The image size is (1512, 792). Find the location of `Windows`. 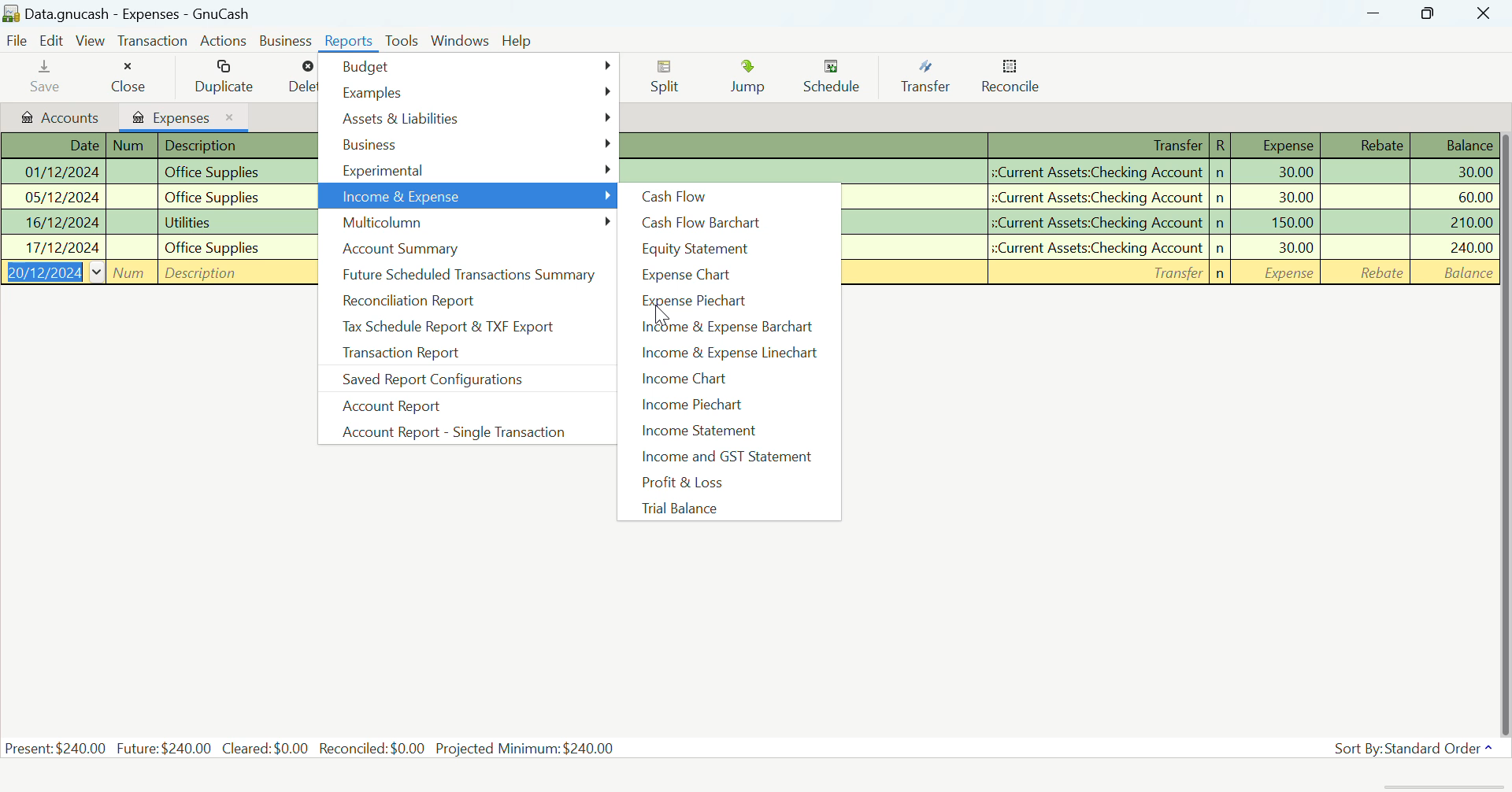

Windows is located at coordinates (460, 40).